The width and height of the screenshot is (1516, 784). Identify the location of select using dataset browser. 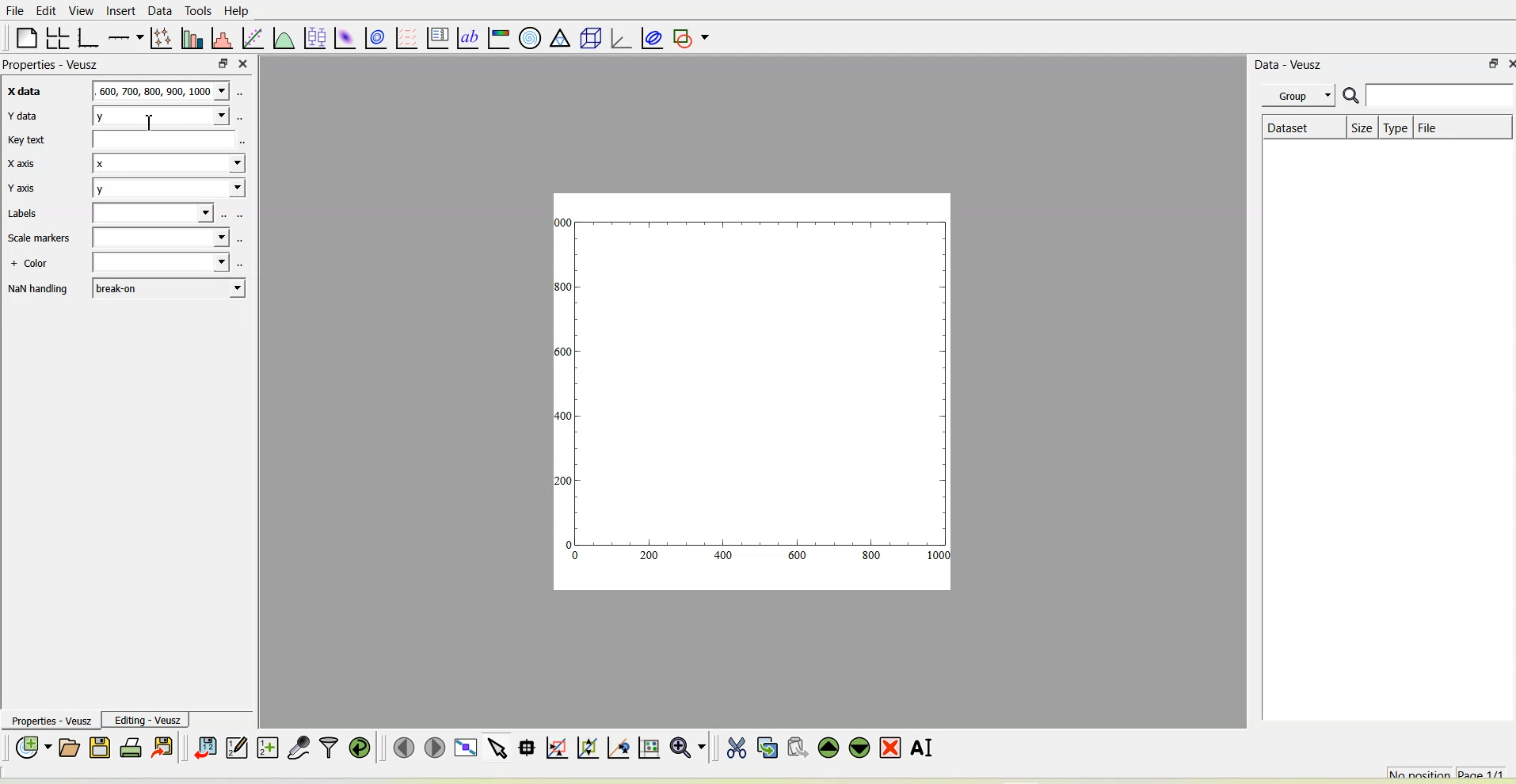
(242, 215).